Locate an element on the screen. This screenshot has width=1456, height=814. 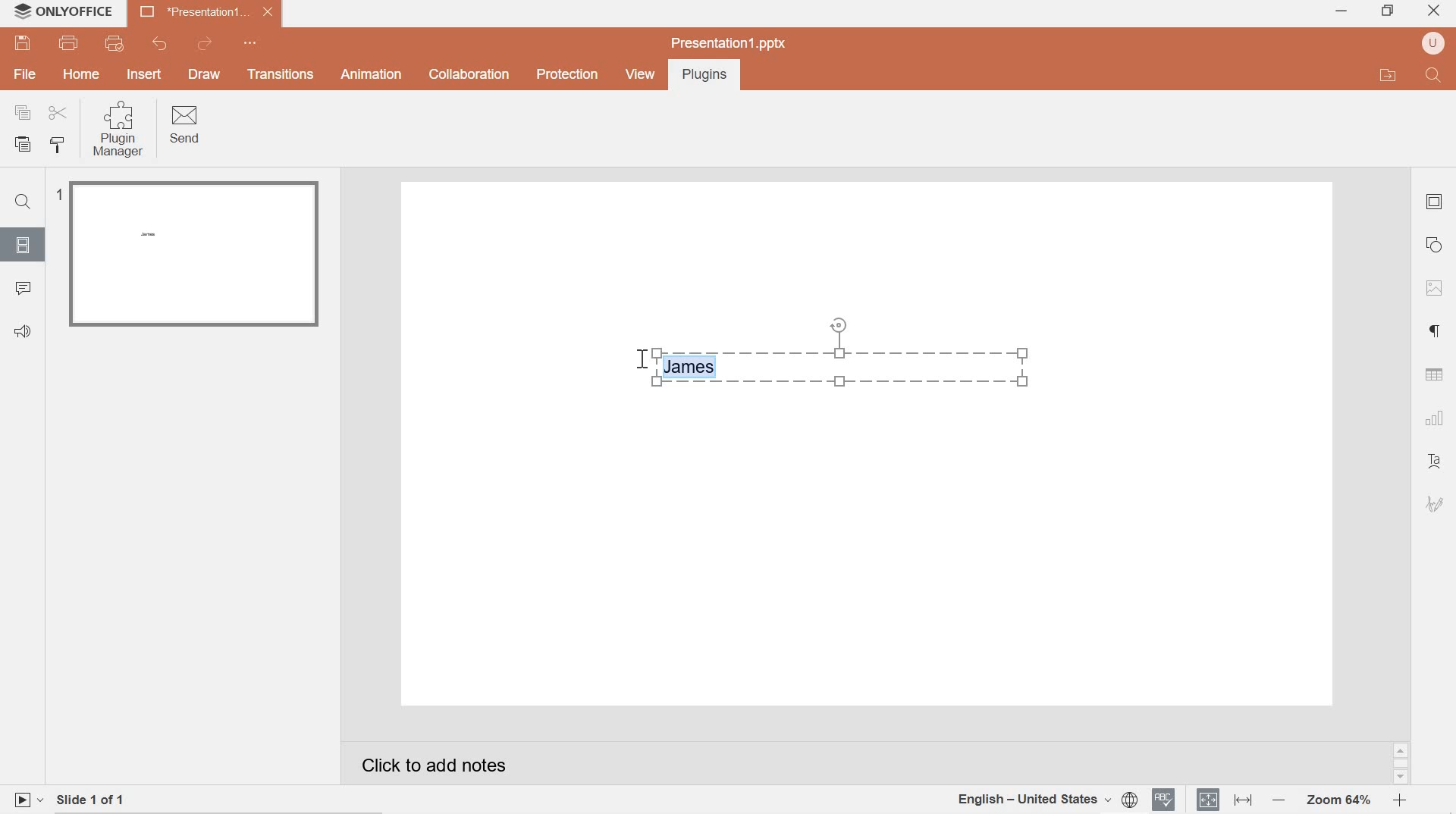
system name is located at coordinates (81, 11).